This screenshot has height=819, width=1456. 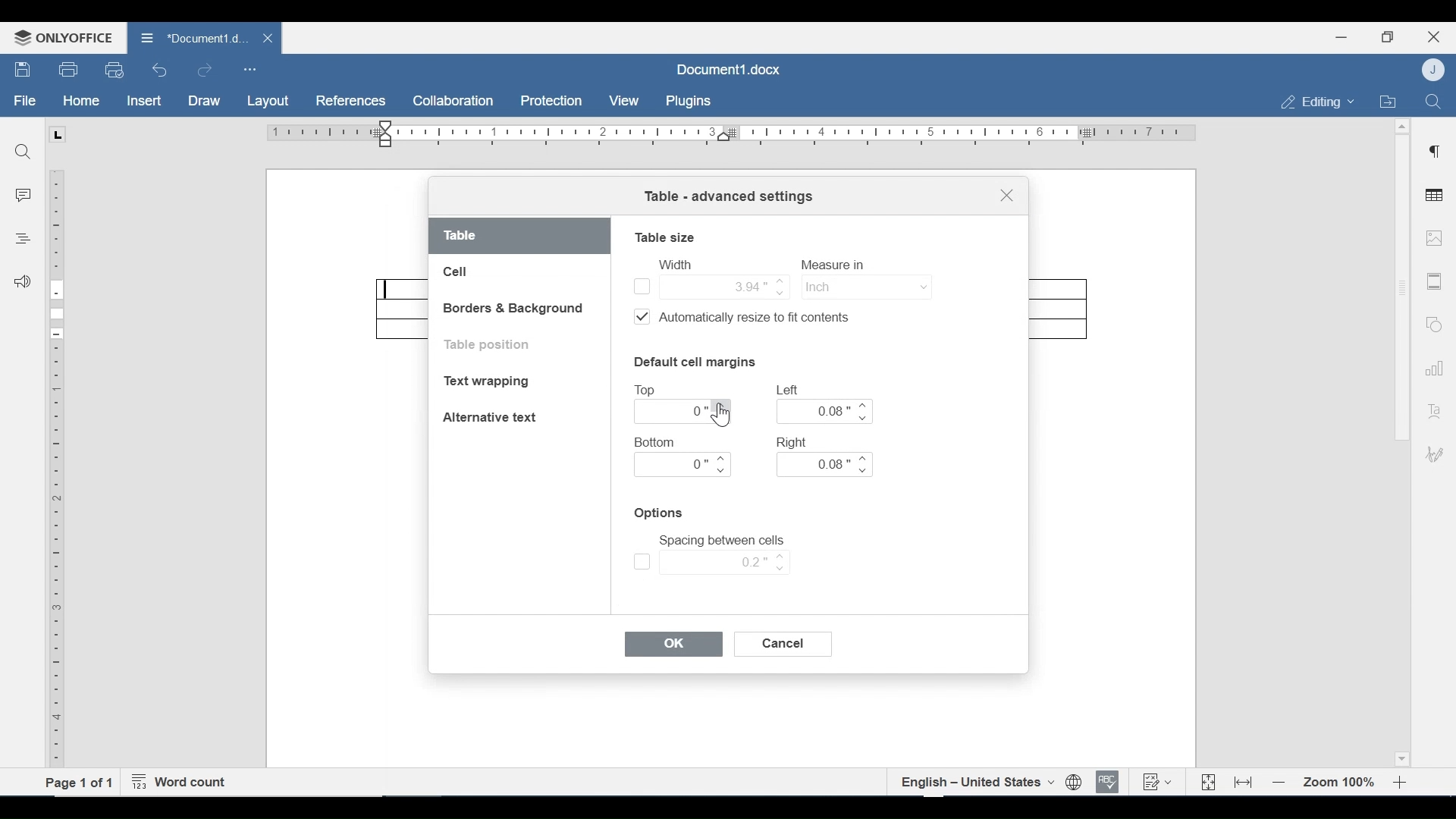 I want to click on OnlyOffice, so click(x=61, y=37).